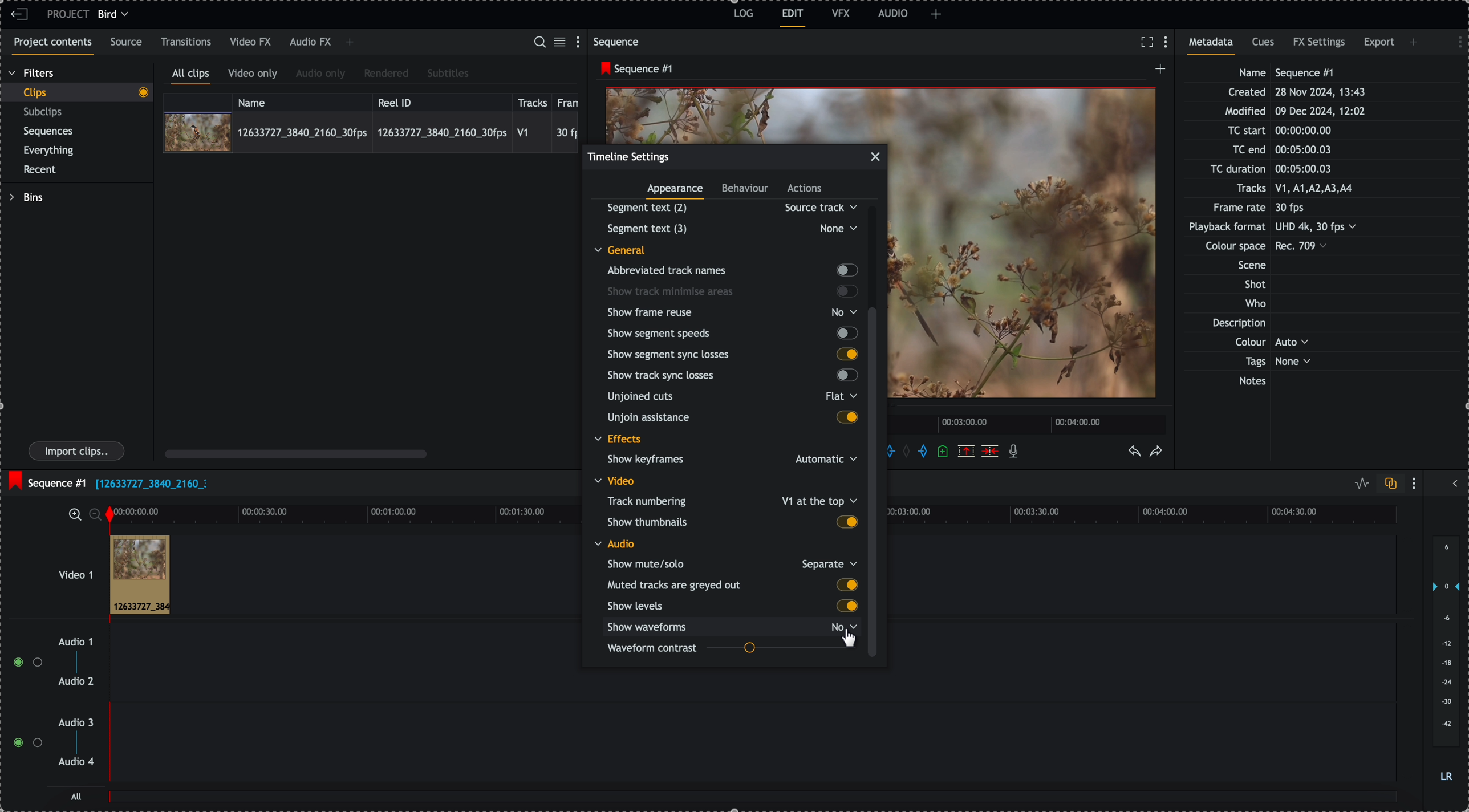 The height and width of the screenshot is (812, 1469). I want to click on sequences, so click(48, 133).